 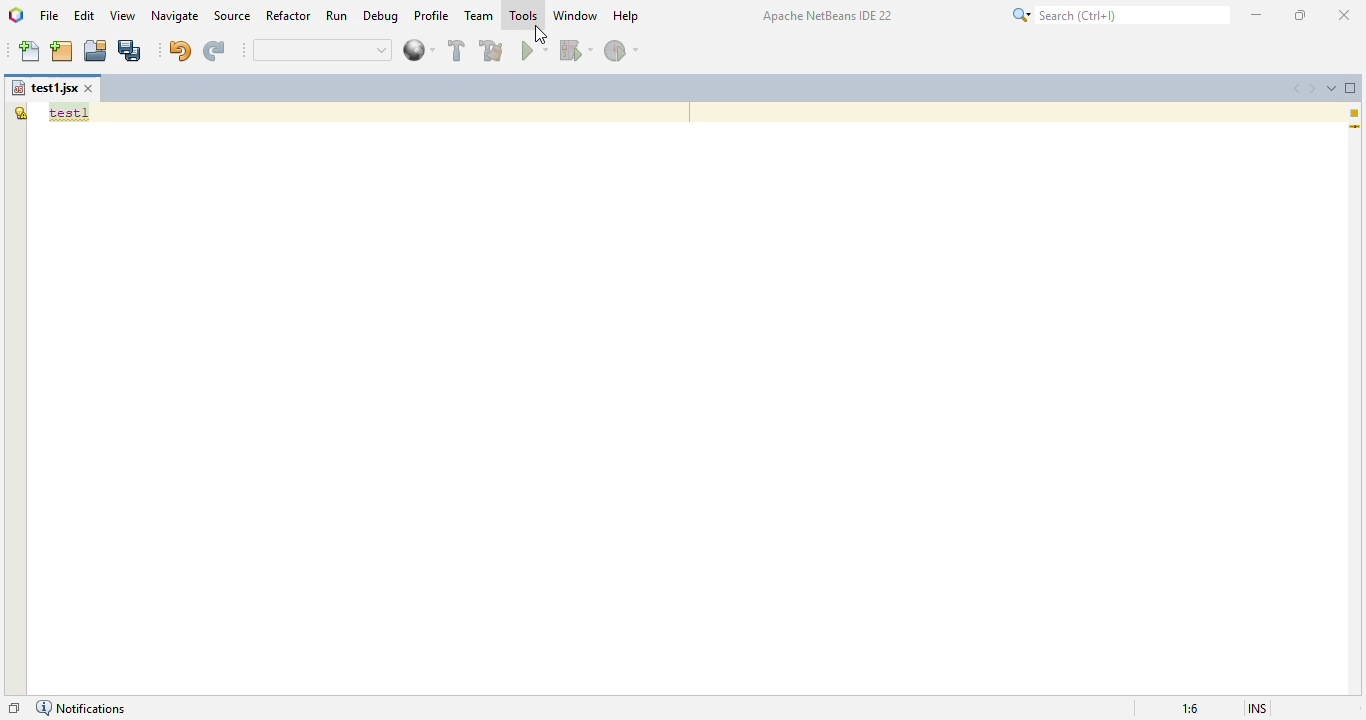 What do you see at coordinates (1258, 709) in the screenshot?
I see `insert mode` at bounding box center [1258, 709].